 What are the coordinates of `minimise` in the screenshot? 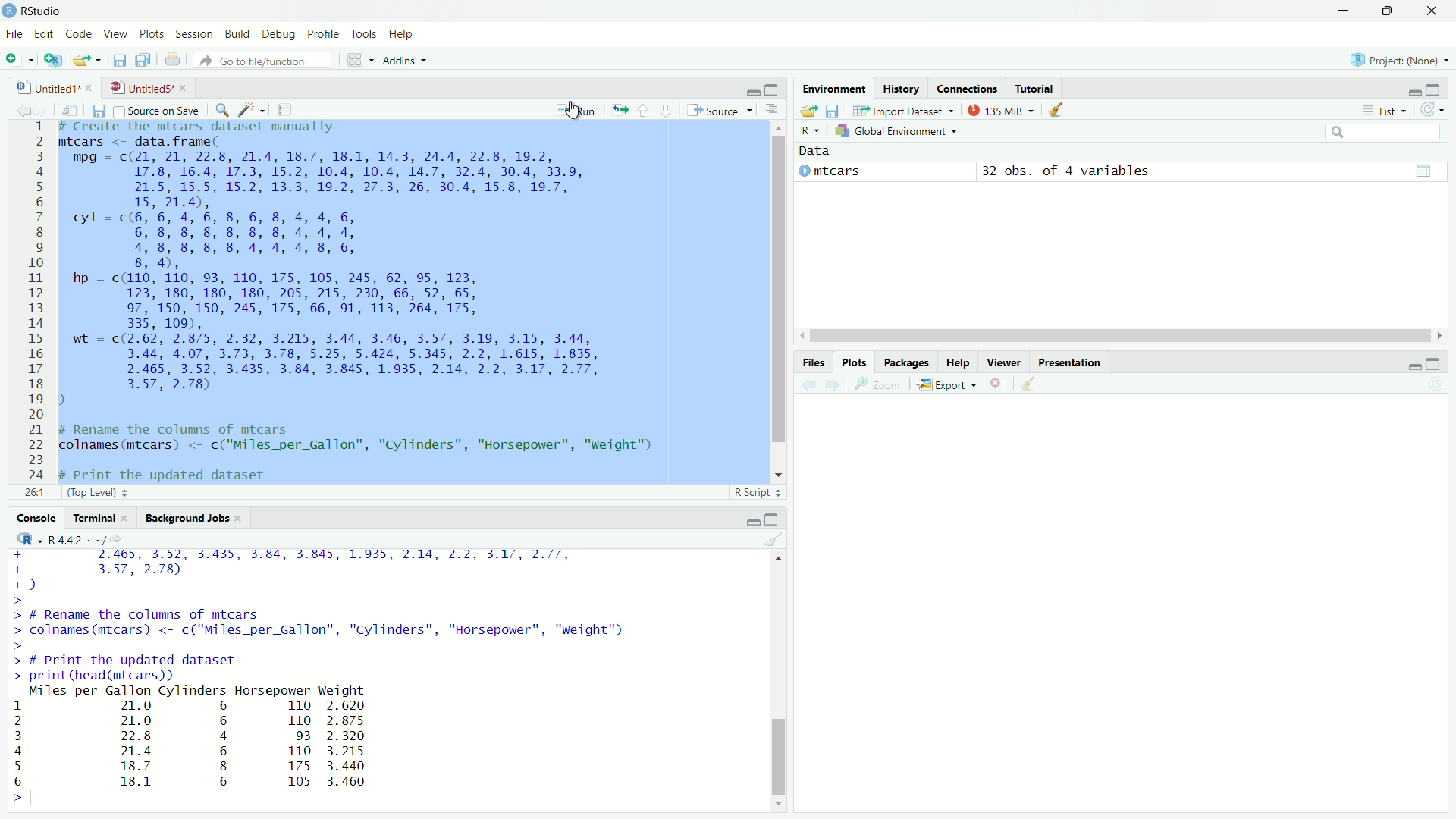 It's located at (748, 519).